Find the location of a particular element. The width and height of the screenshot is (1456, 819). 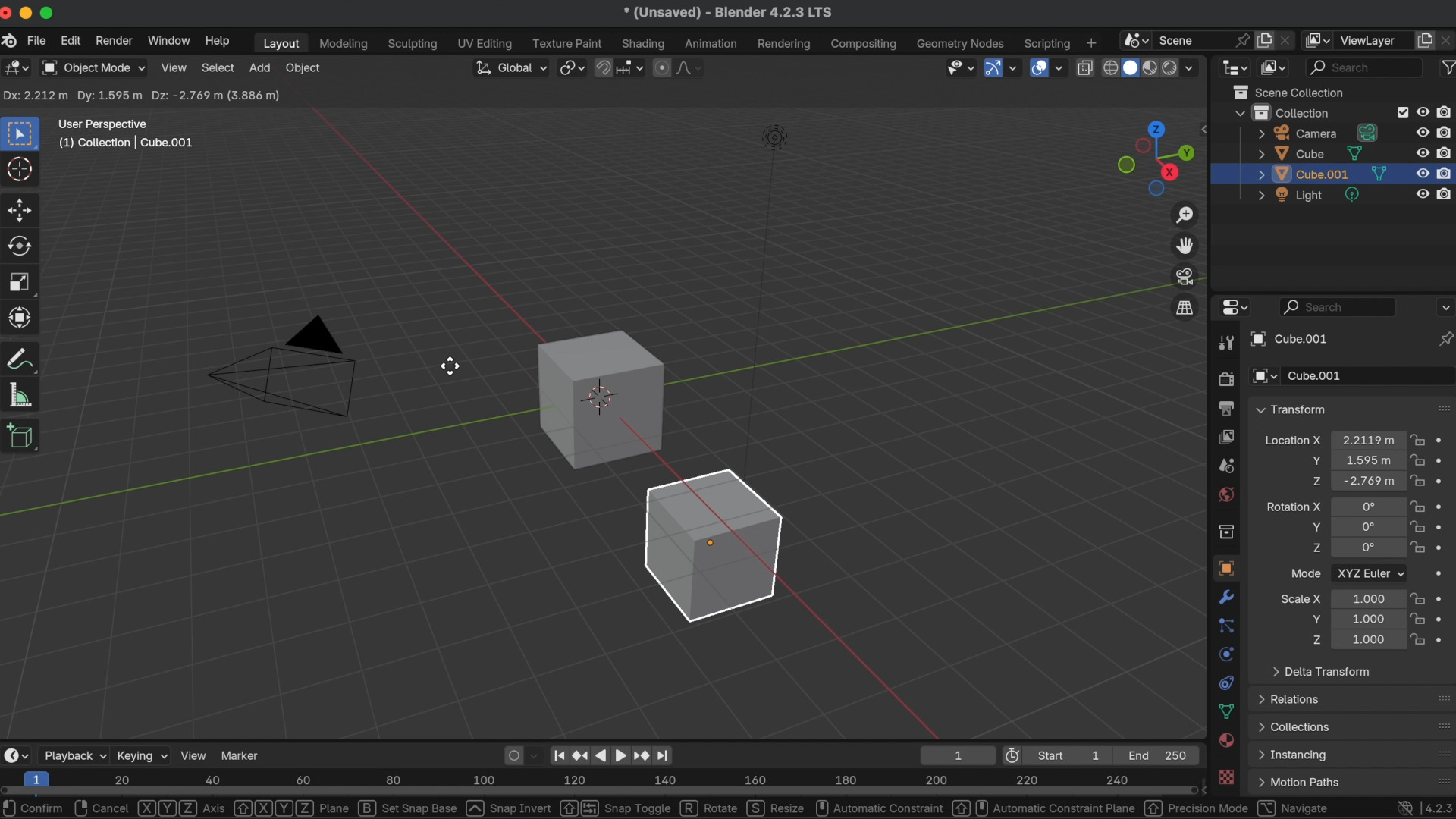

checkbox is located at coordinates (1400, 112).